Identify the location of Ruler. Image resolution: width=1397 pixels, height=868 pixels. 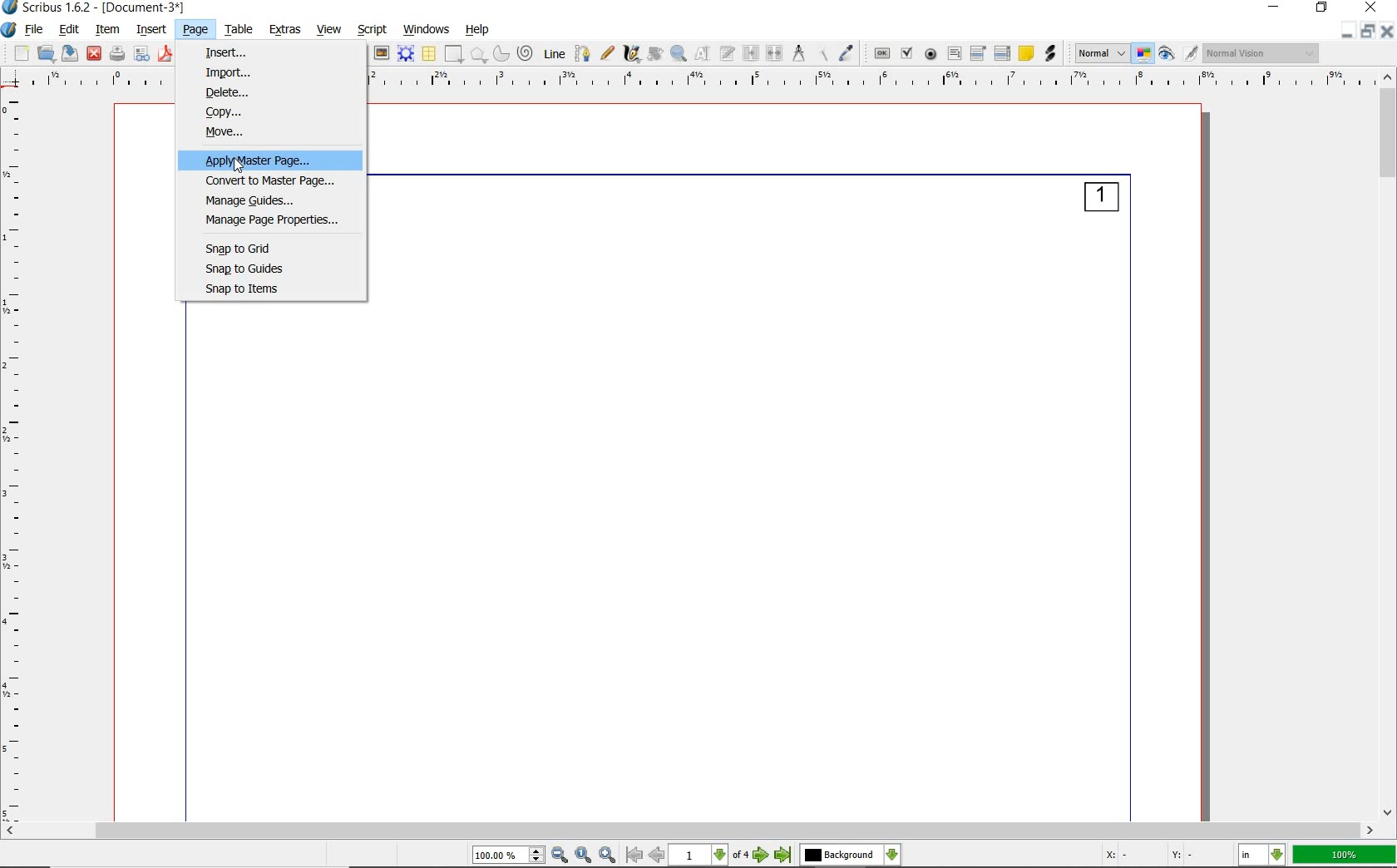
(874, 81).